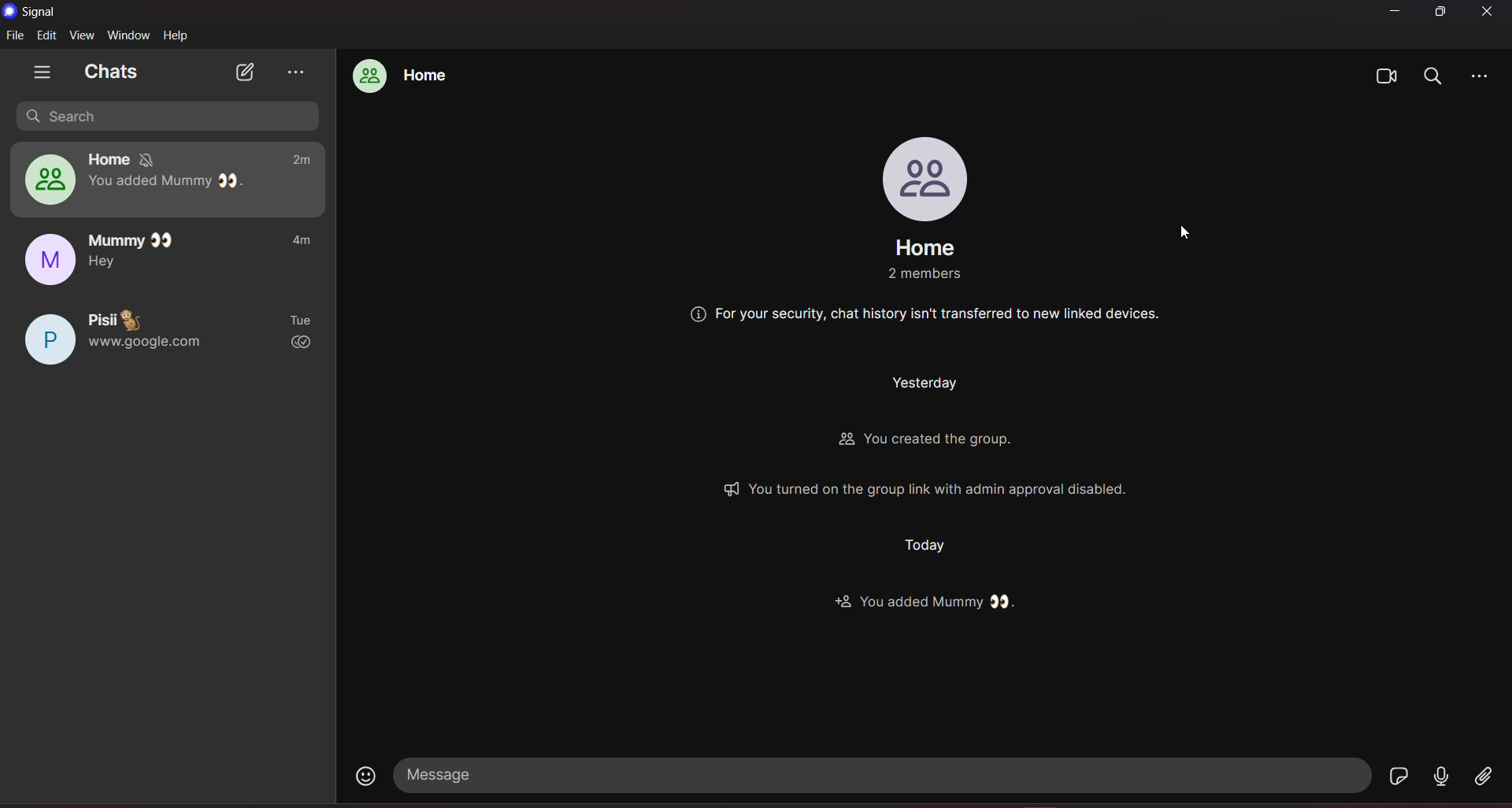  I want to click on search, so click(1432, 76).